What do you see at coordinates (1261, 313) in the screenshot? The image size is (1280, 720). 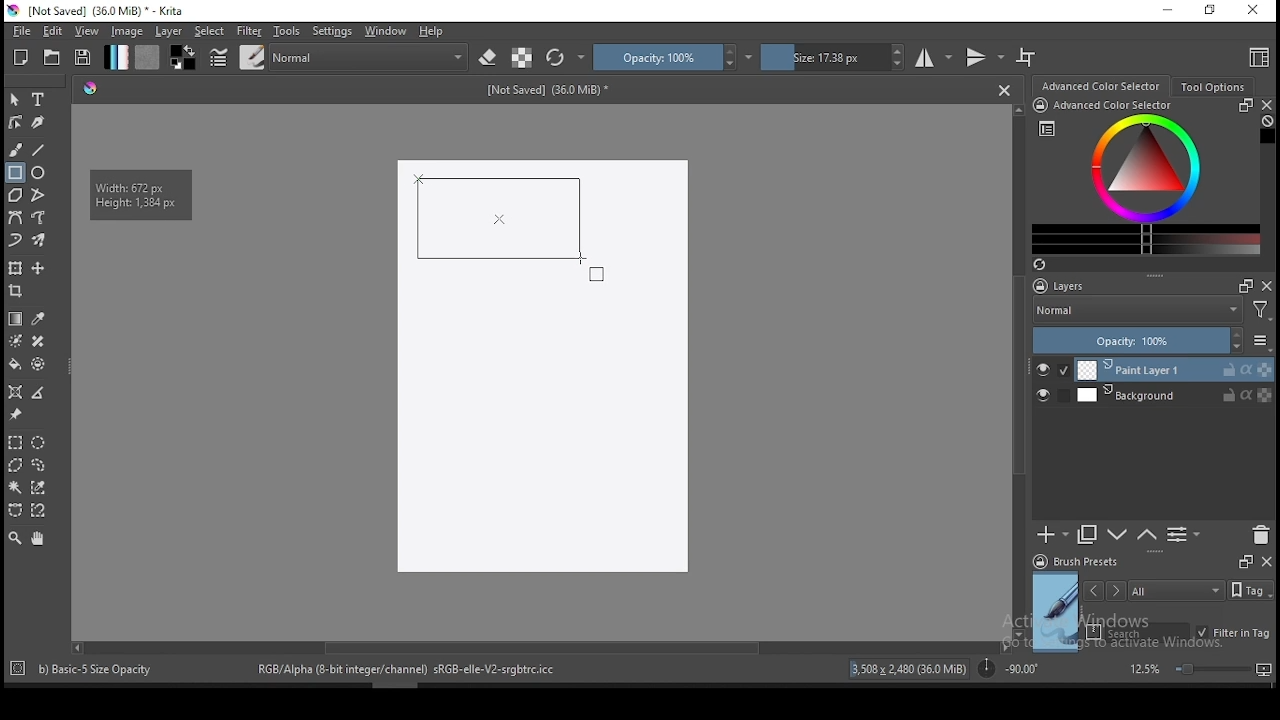 I see `Filter` at bounding box center [1261, 313].